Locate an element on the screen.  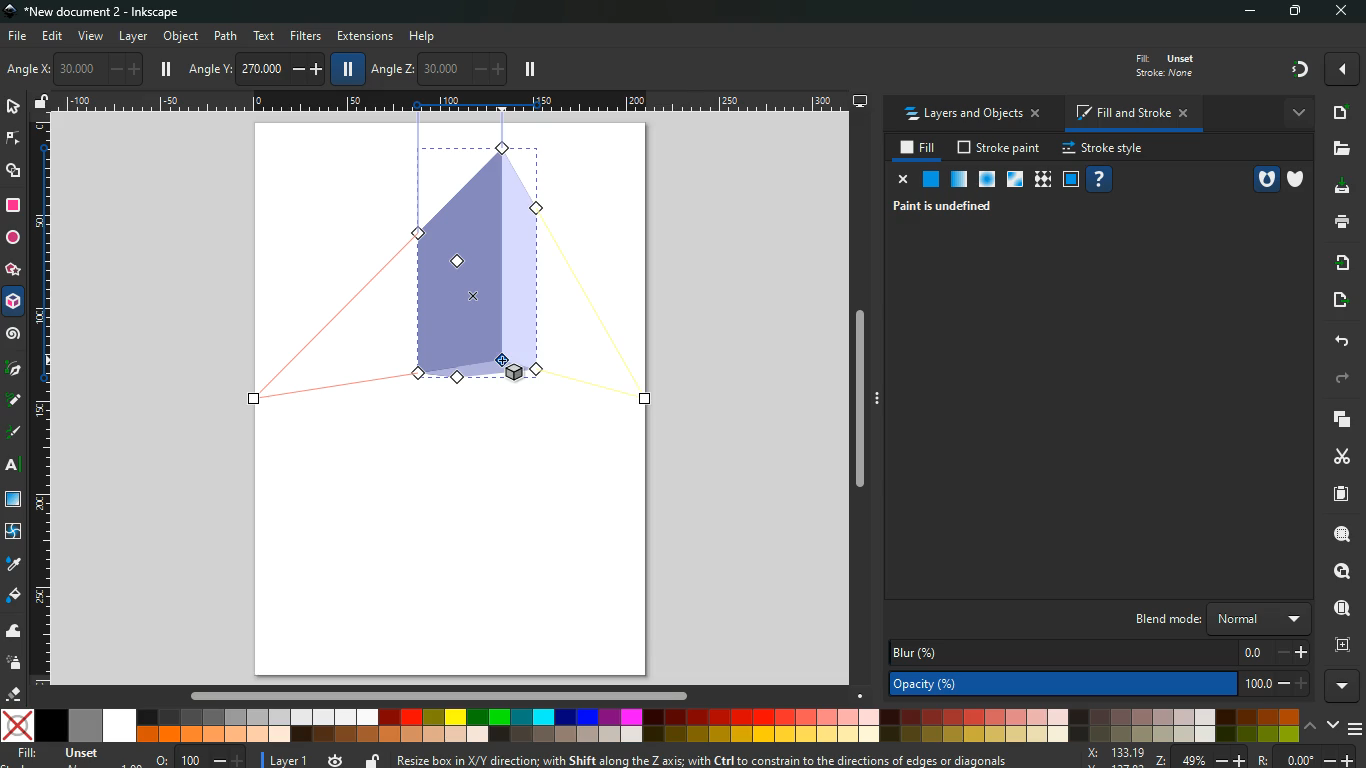
fill and stroke is located at coordinates (1130, 115).